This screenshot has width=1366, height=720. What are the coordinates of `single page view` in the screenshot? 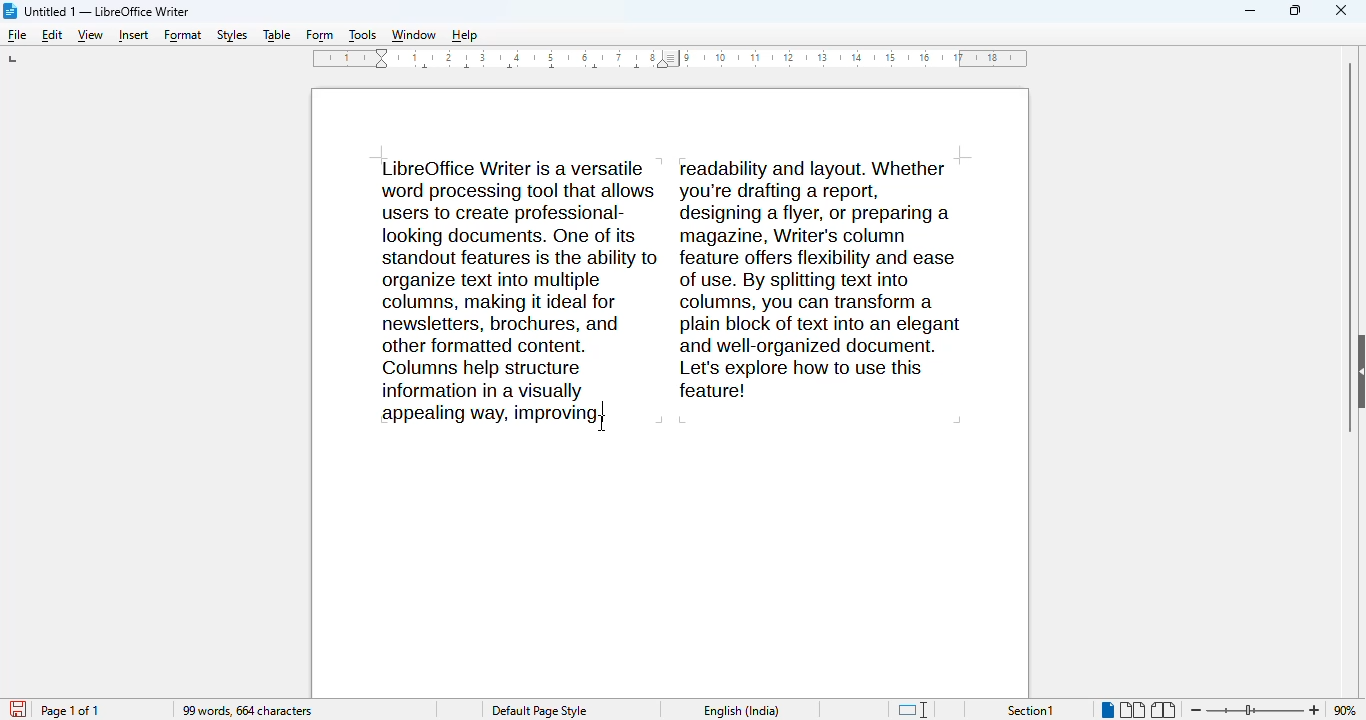 It's located at (1105, 710).